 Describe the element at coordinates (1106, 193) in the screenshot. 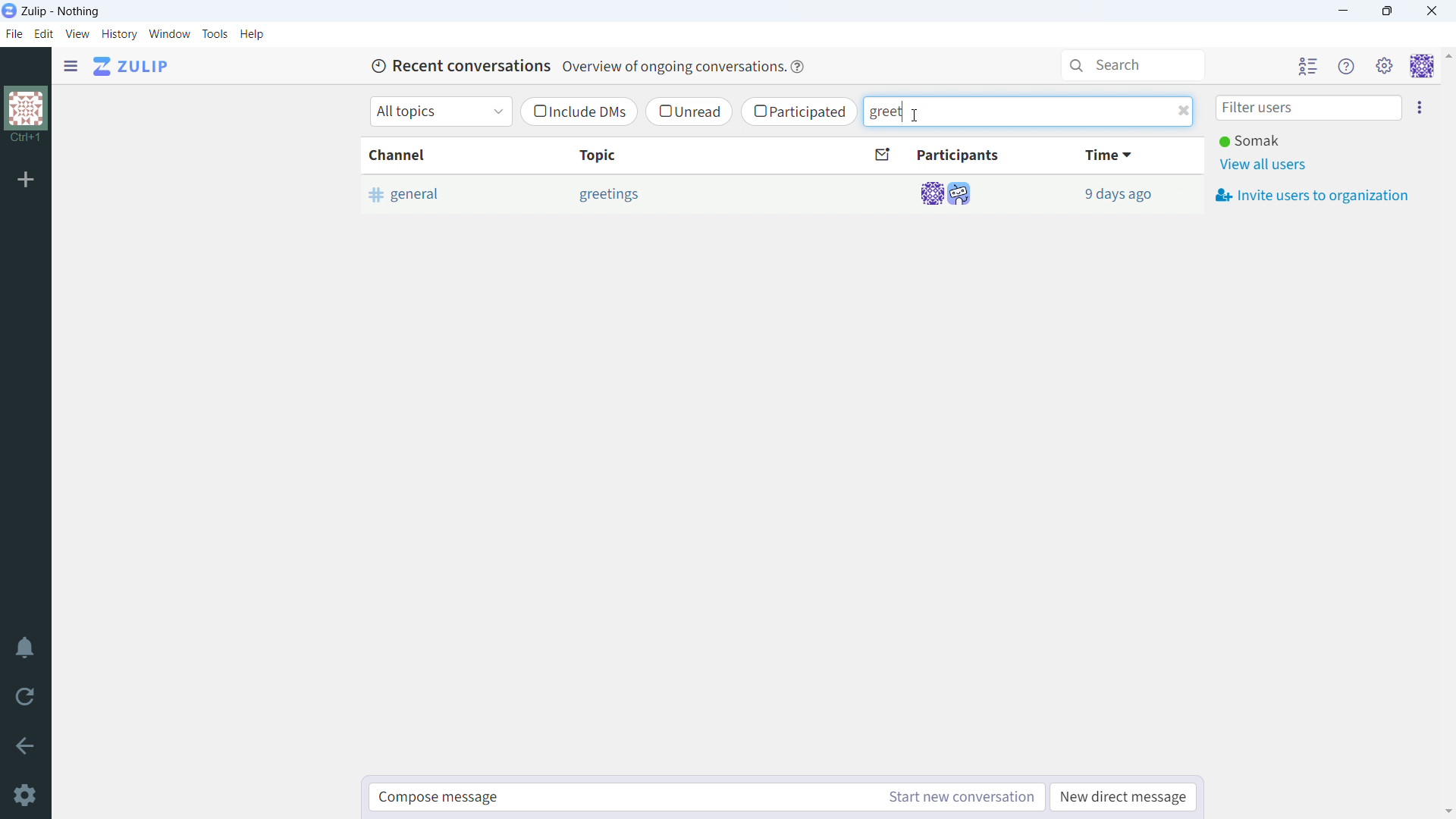

I see `13 minutes ago` at that location.